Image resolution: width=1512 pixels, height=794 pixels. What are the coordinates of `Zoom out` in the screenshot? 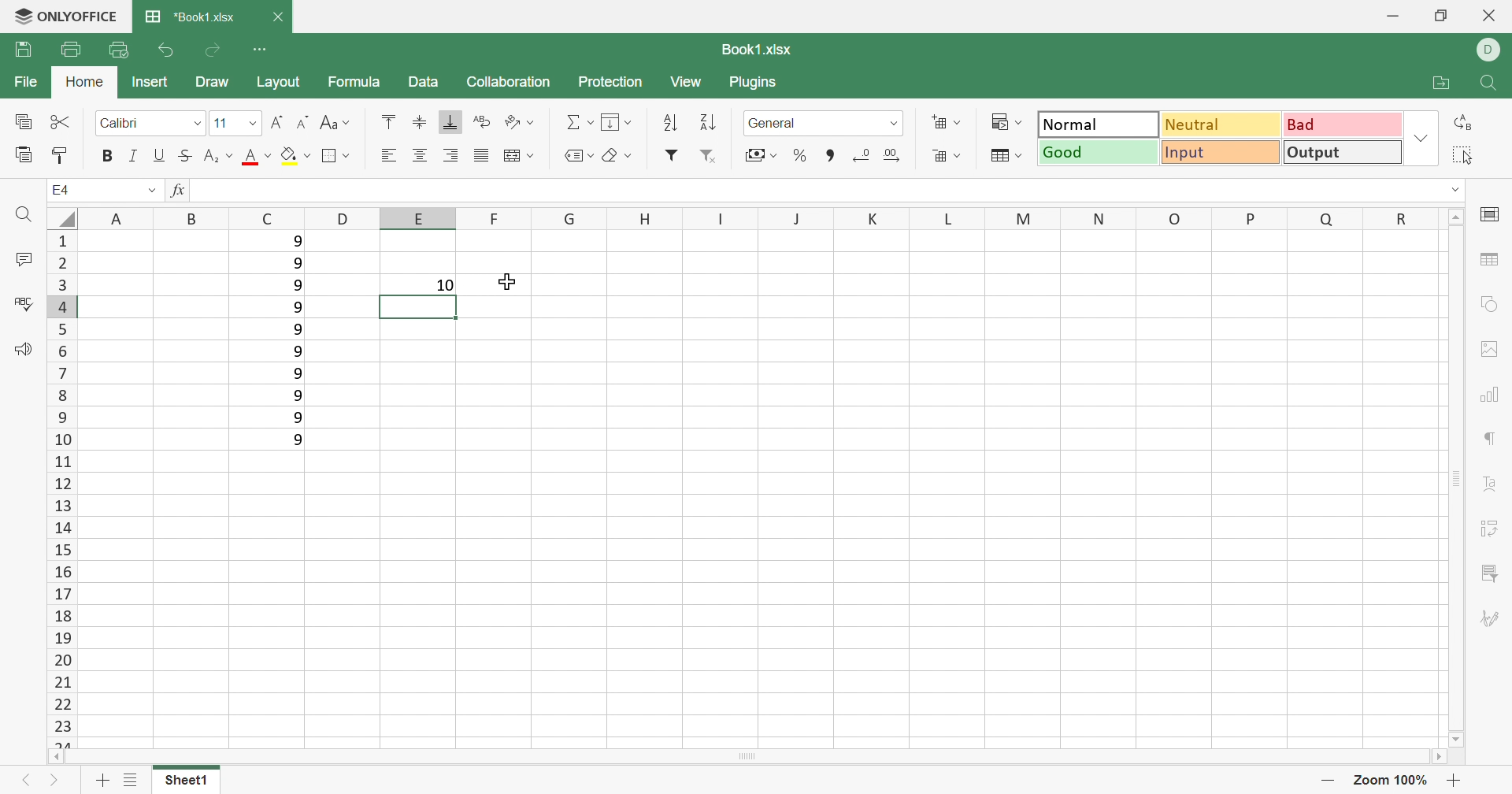 It's located at (1330, 779).